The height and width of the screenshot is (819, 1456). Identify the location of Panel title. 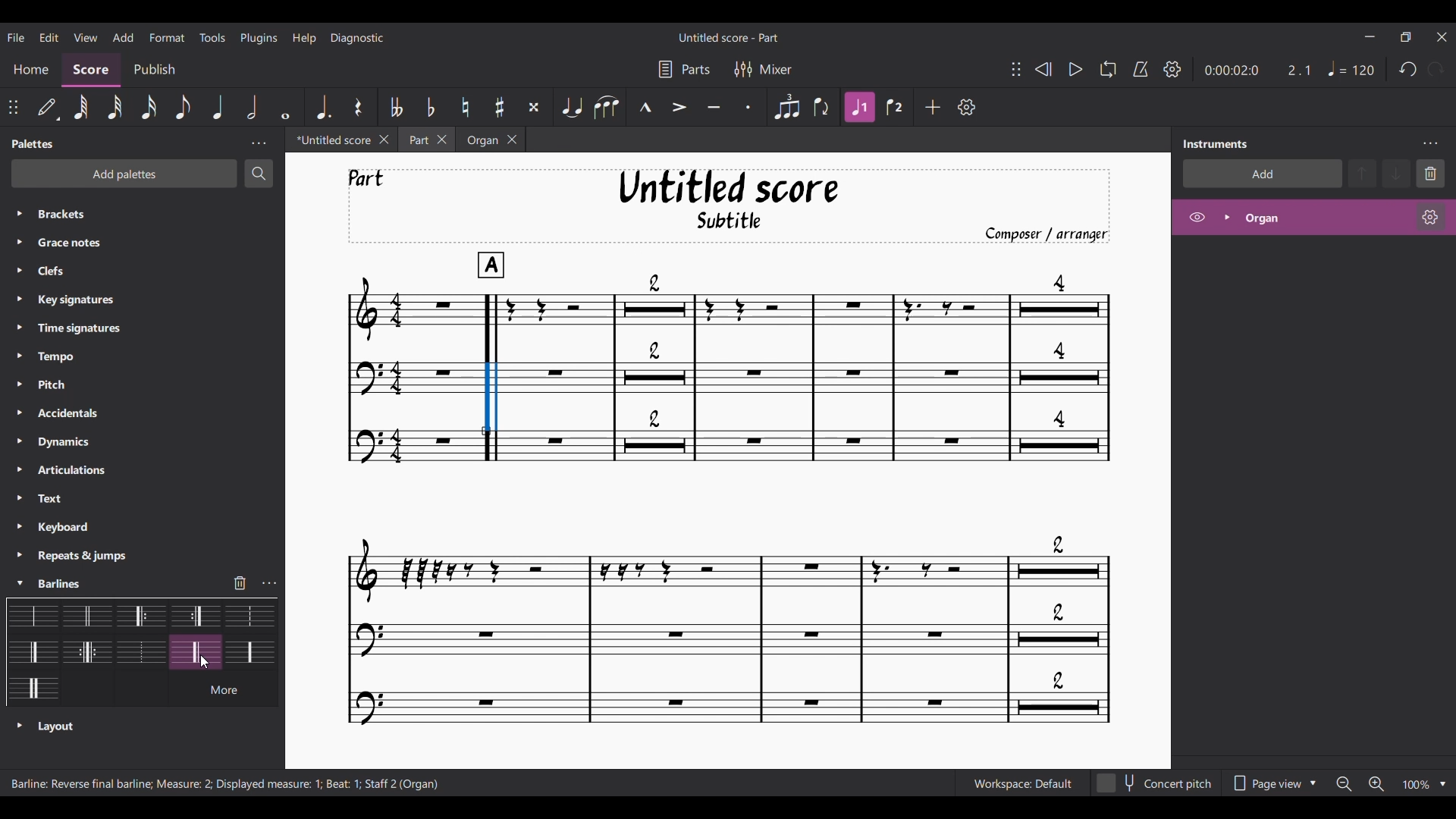
(33, 143).